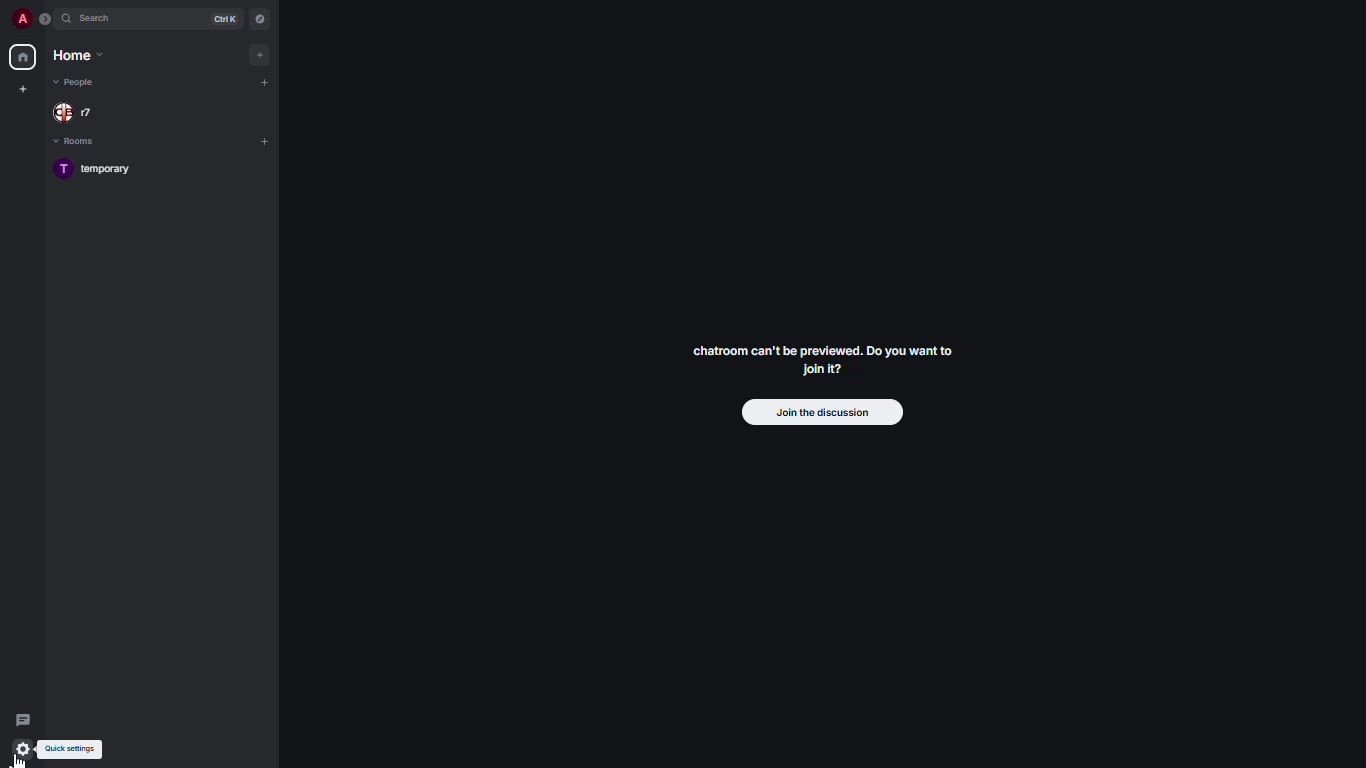  Describe the element at coordinates (269, 81) in the screenshot. I see `add` at that location.